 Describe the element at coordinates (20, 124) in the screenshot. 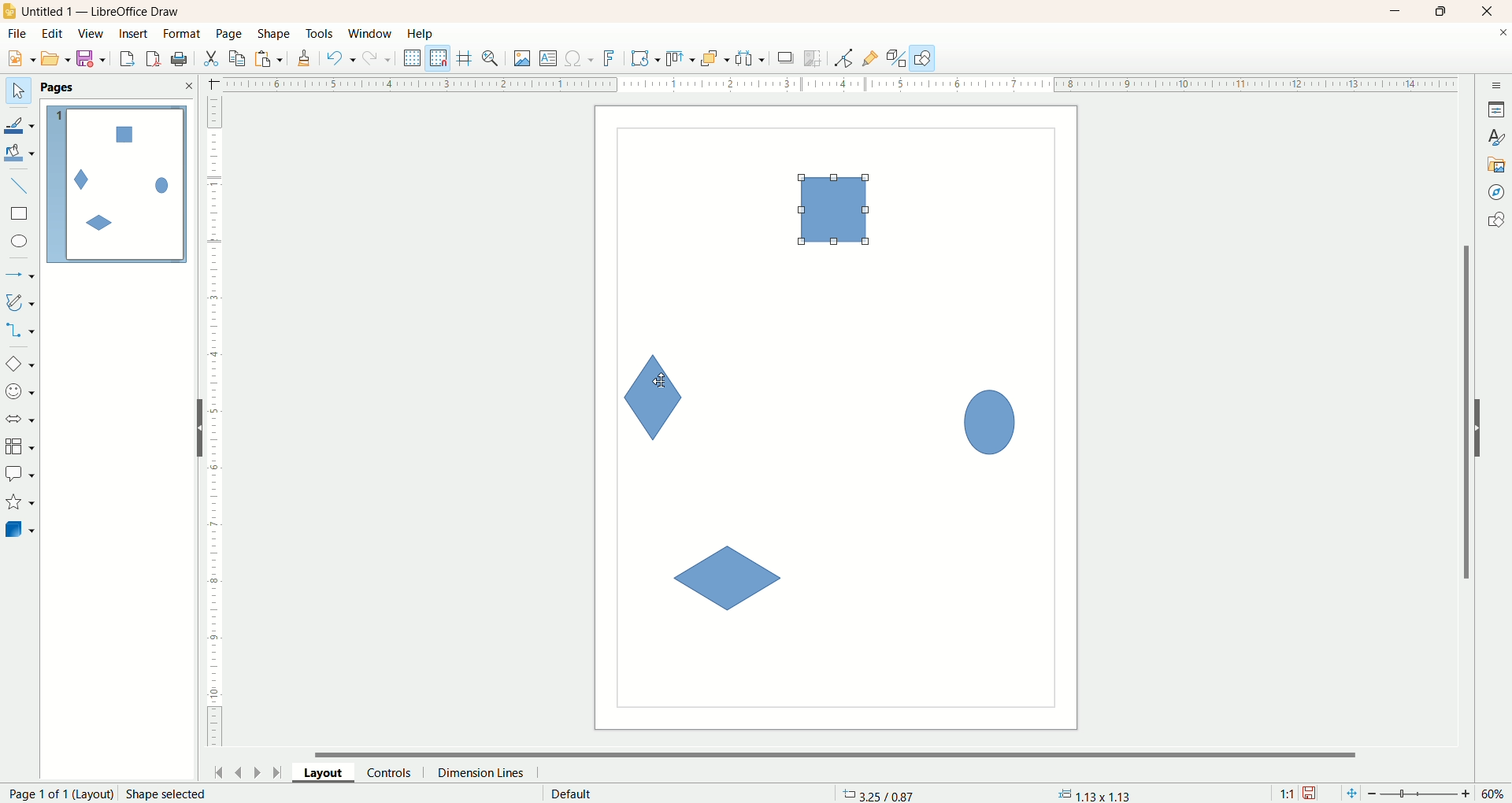

I see `line color` at that location.